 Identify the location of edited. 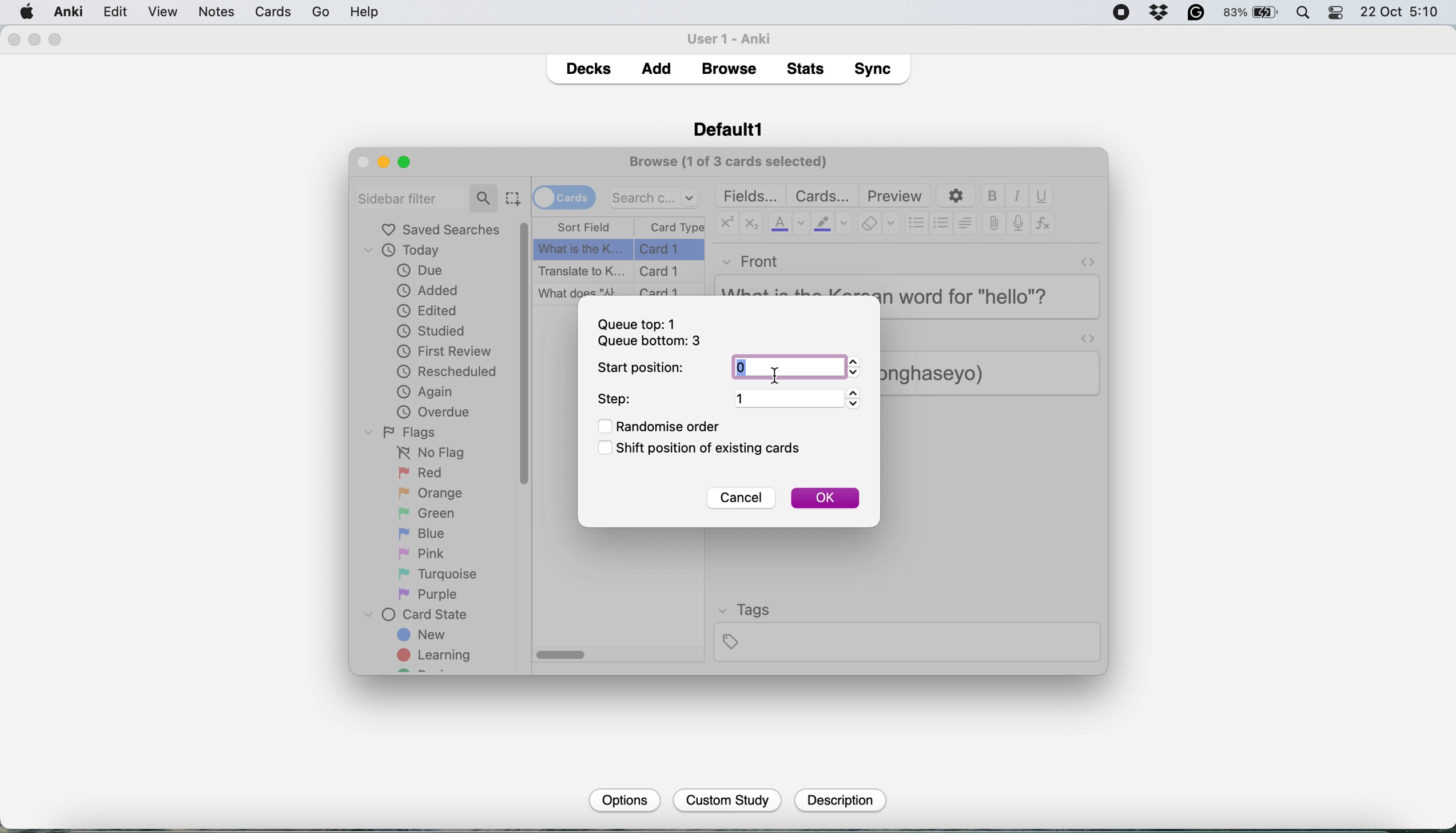
(428, 311).